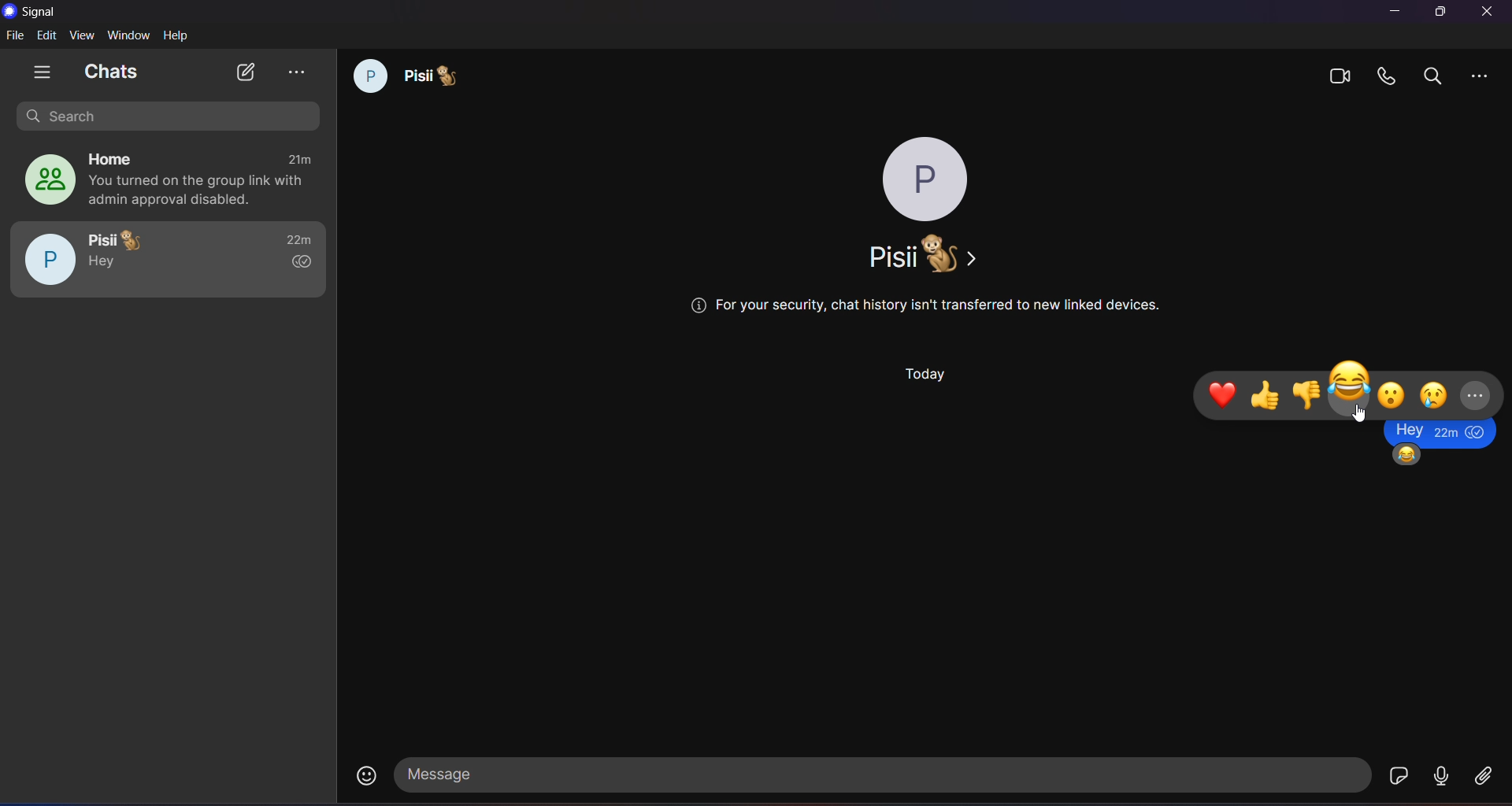 This screenshot has height=806, width=1512. Describe the element at coordinates (132, 35) in the screenshot. I see `window` at that location.